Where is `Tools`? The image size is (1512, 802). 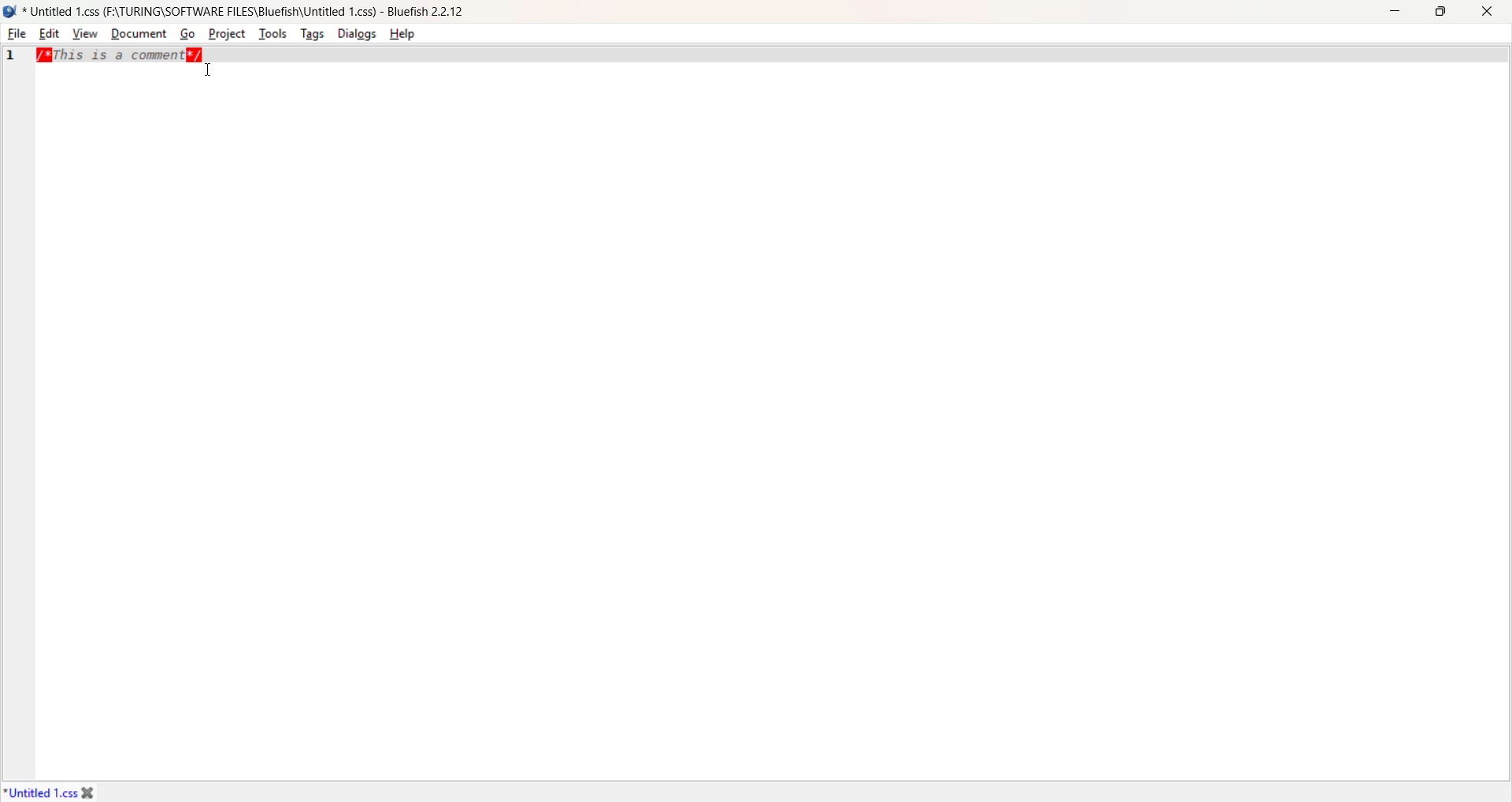
Tools is located at coordinates (274, 35).